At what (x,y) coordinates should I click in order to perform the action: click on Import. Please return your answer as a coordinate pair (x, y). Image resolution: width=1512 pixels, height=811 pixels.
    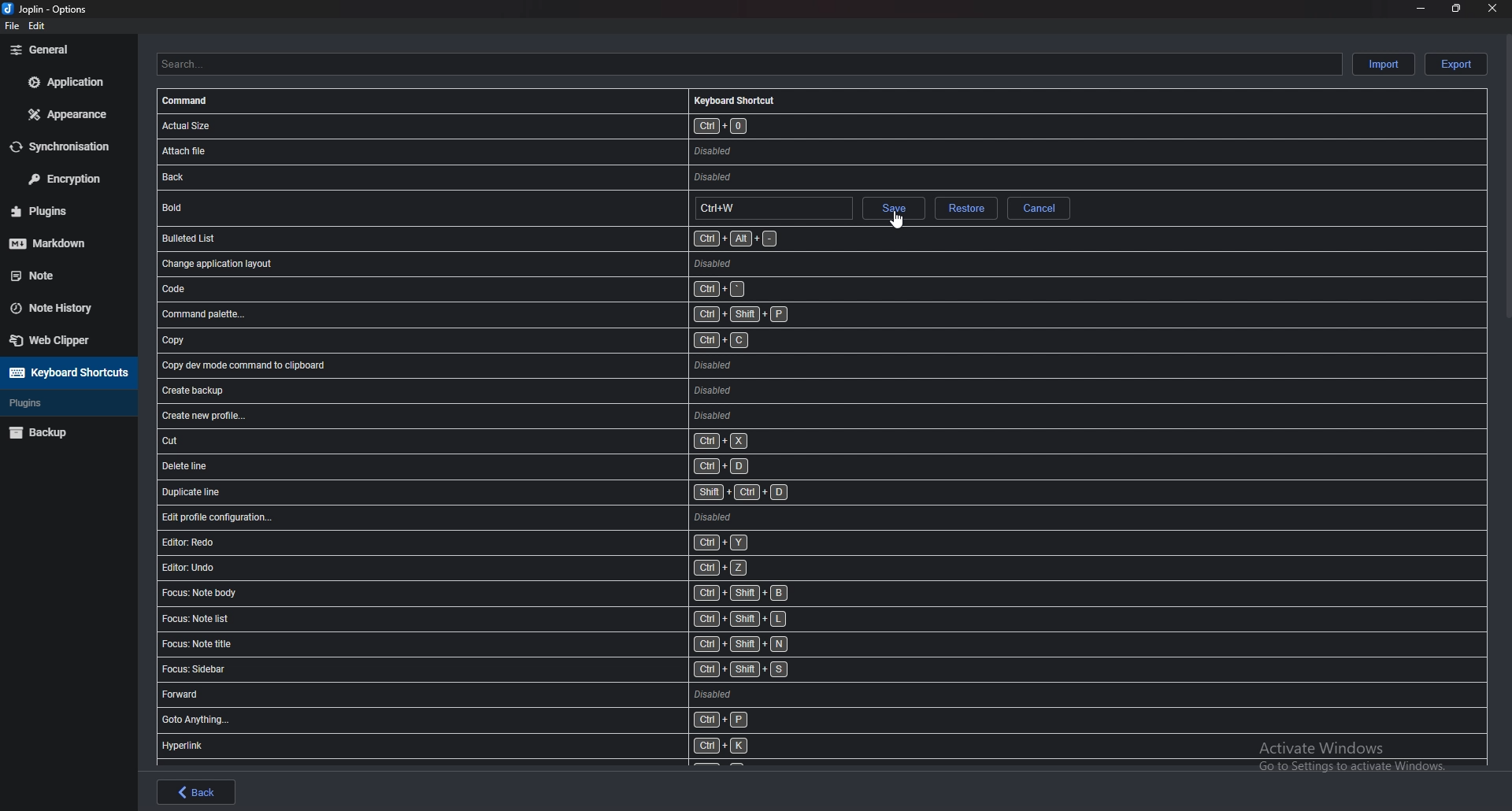
    Looking at the image, I should click on (1384, 65).